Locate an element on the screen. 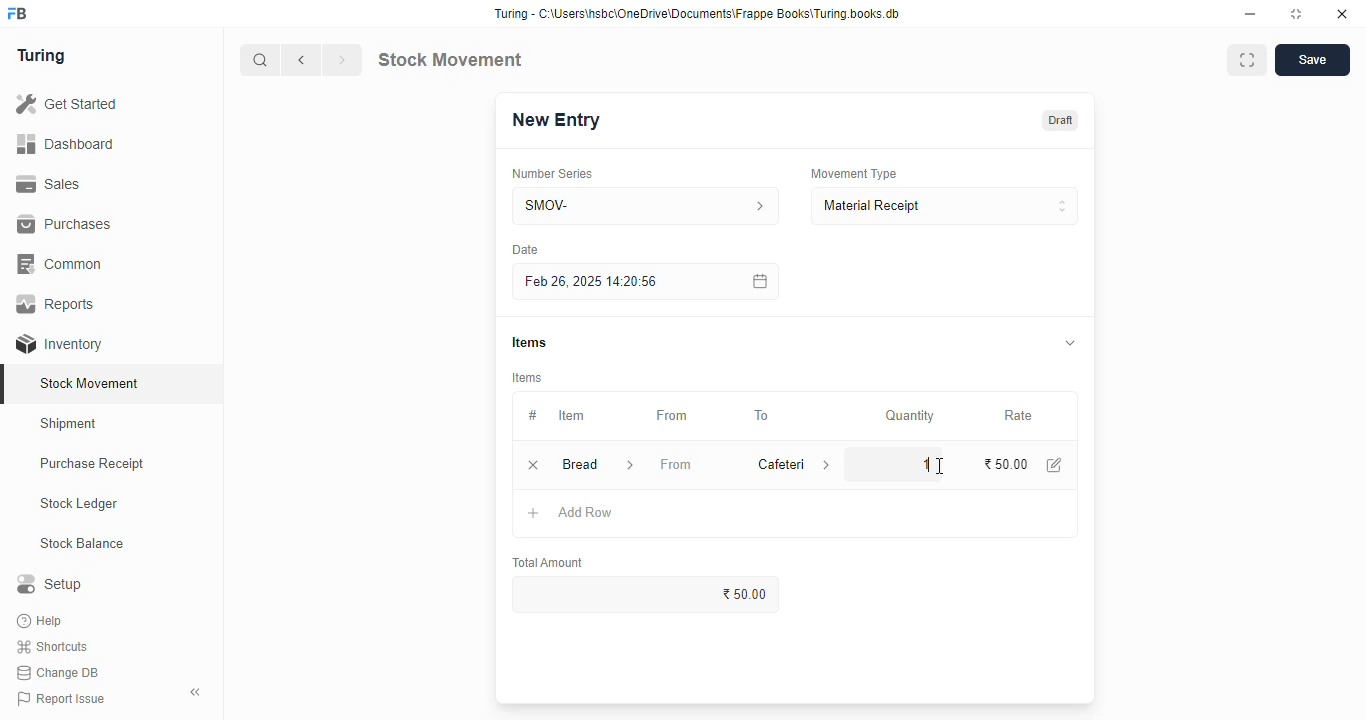 Image resolution: width=1366 pixels, height=720 pixels. calendar is located at coordinates (758, 281).